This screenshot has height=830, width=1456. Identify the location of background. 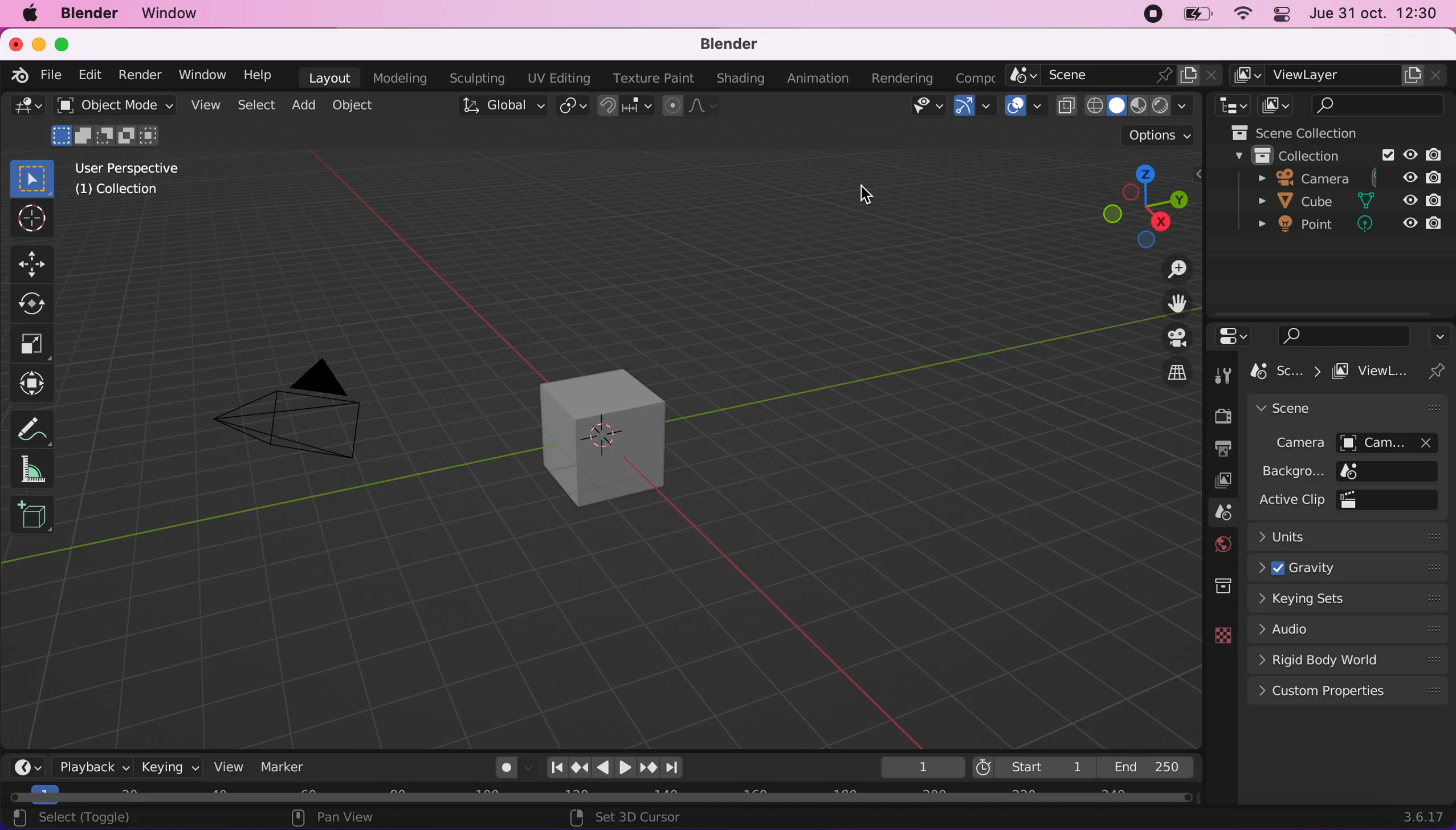
(1292, 471).